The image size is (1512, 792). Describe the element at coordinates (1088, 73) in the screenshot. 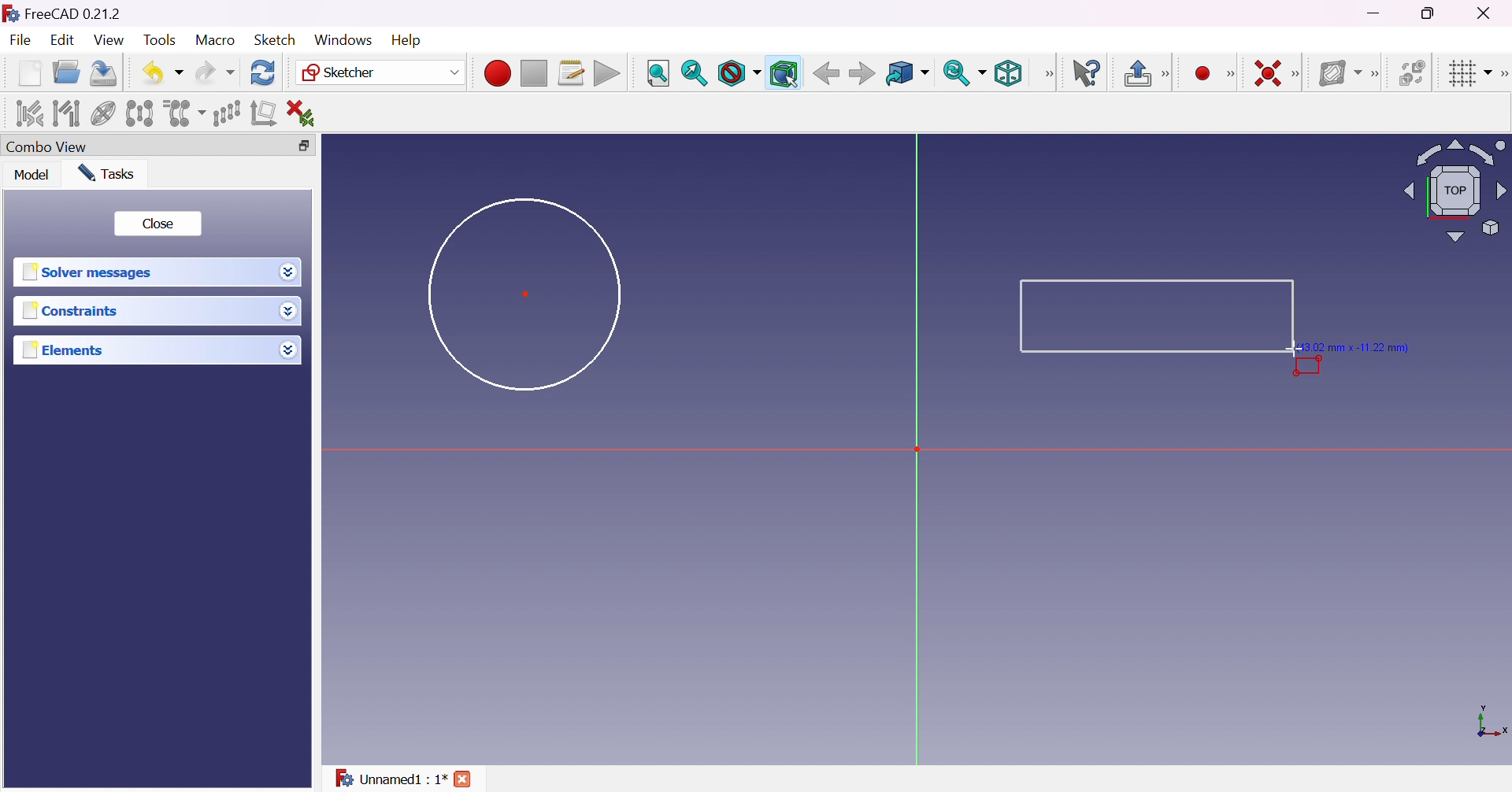

I see `What's this?` at that location.